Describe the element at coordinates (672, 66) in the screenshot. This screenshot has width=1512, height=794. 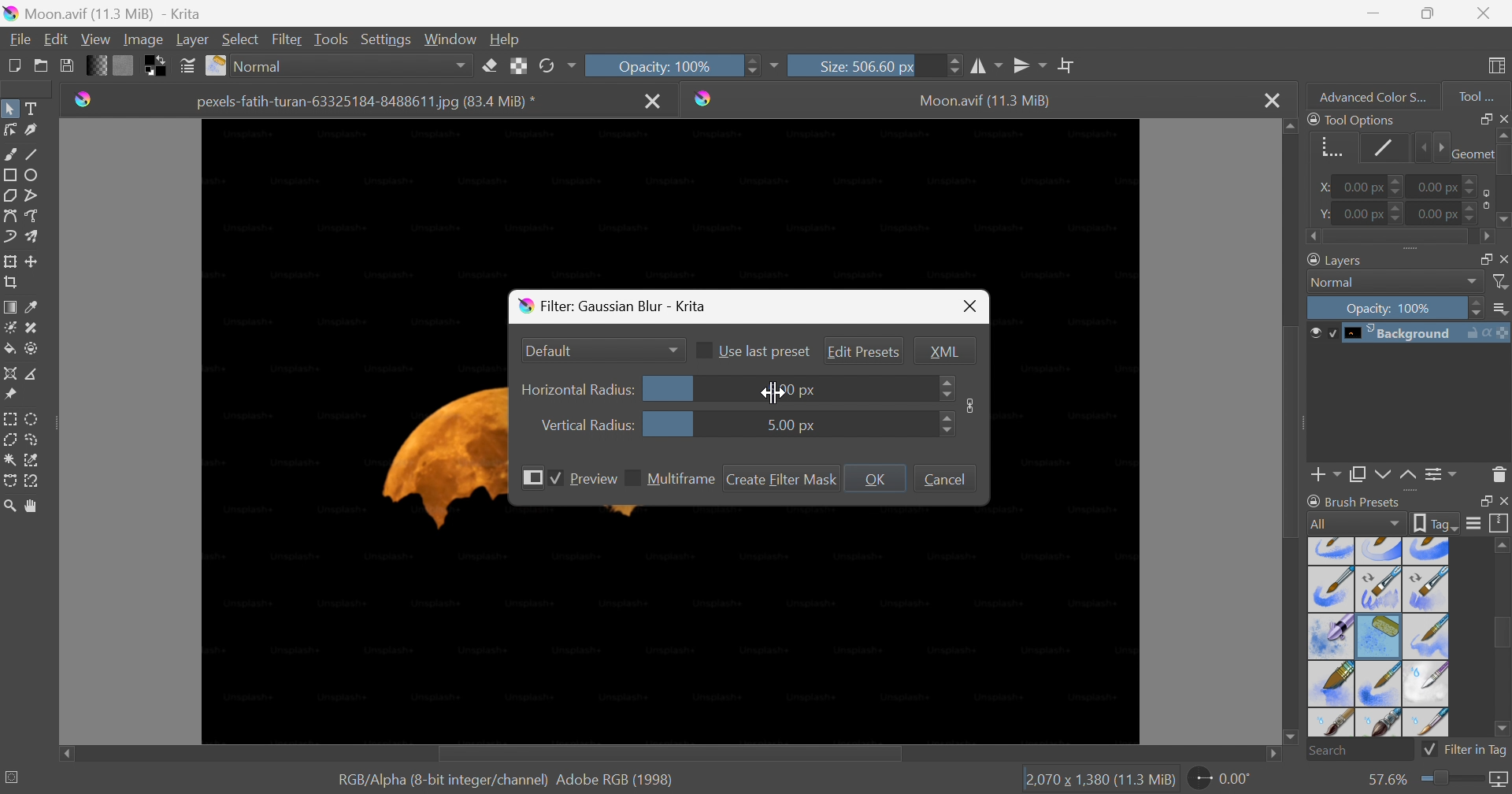
I see `Opacity: 100%` at that location.